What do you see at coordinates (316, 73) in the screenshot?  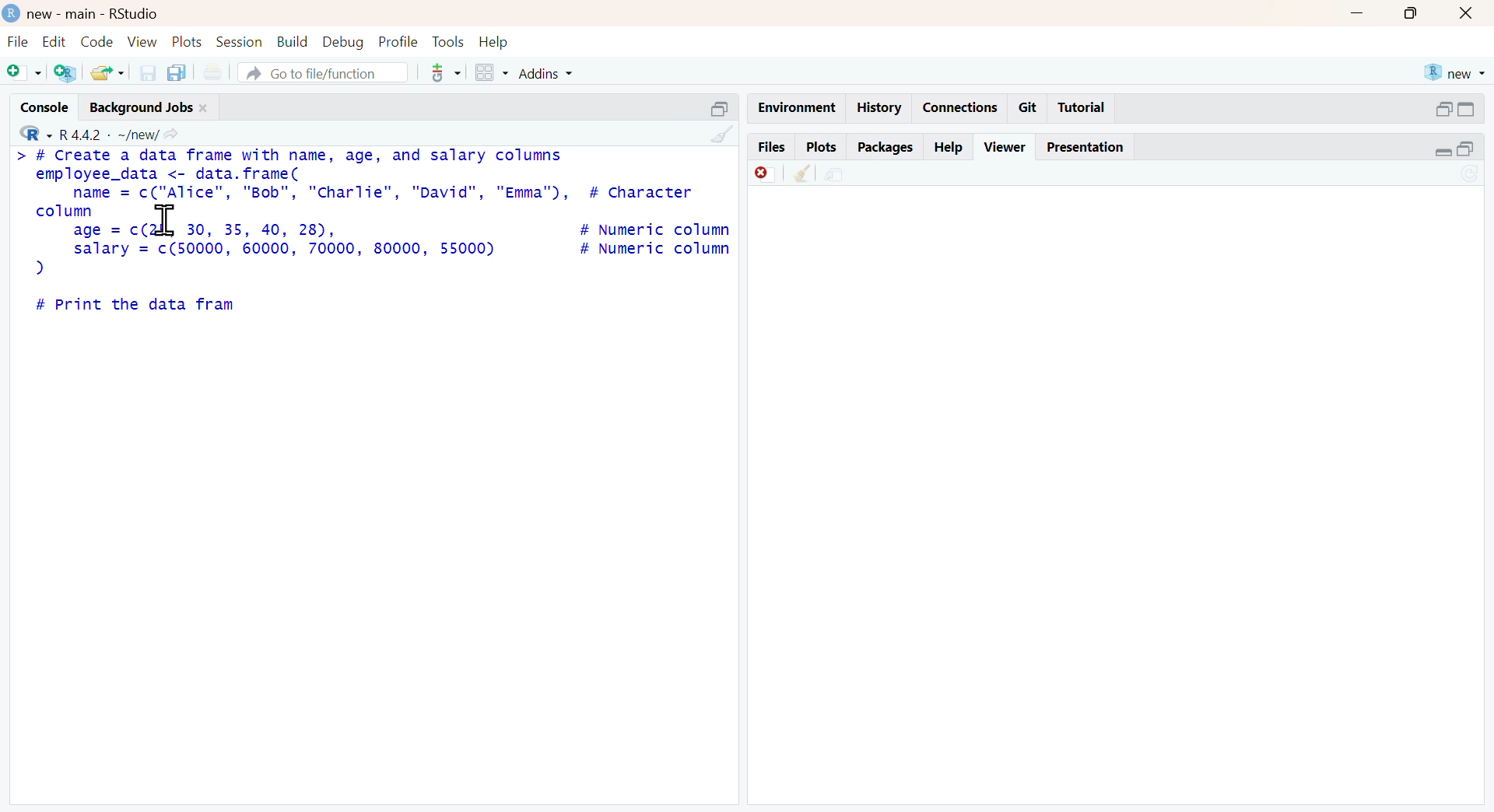 I see `A Go to file/function` at bounding box center [316, 73].